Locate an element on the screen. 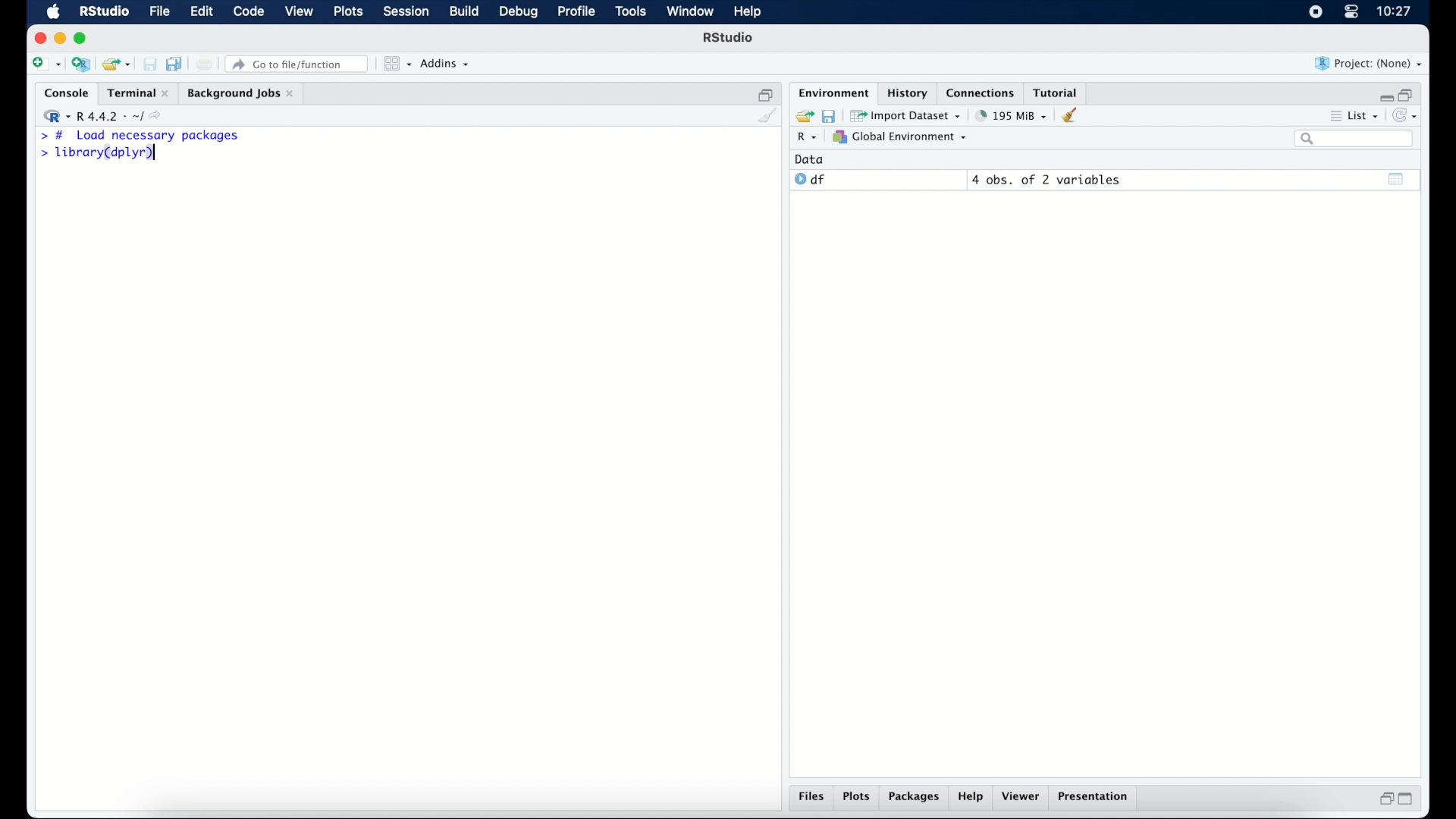 The height and width of the screenshot is (819, 1456). df is located at coordinates (810, 180).